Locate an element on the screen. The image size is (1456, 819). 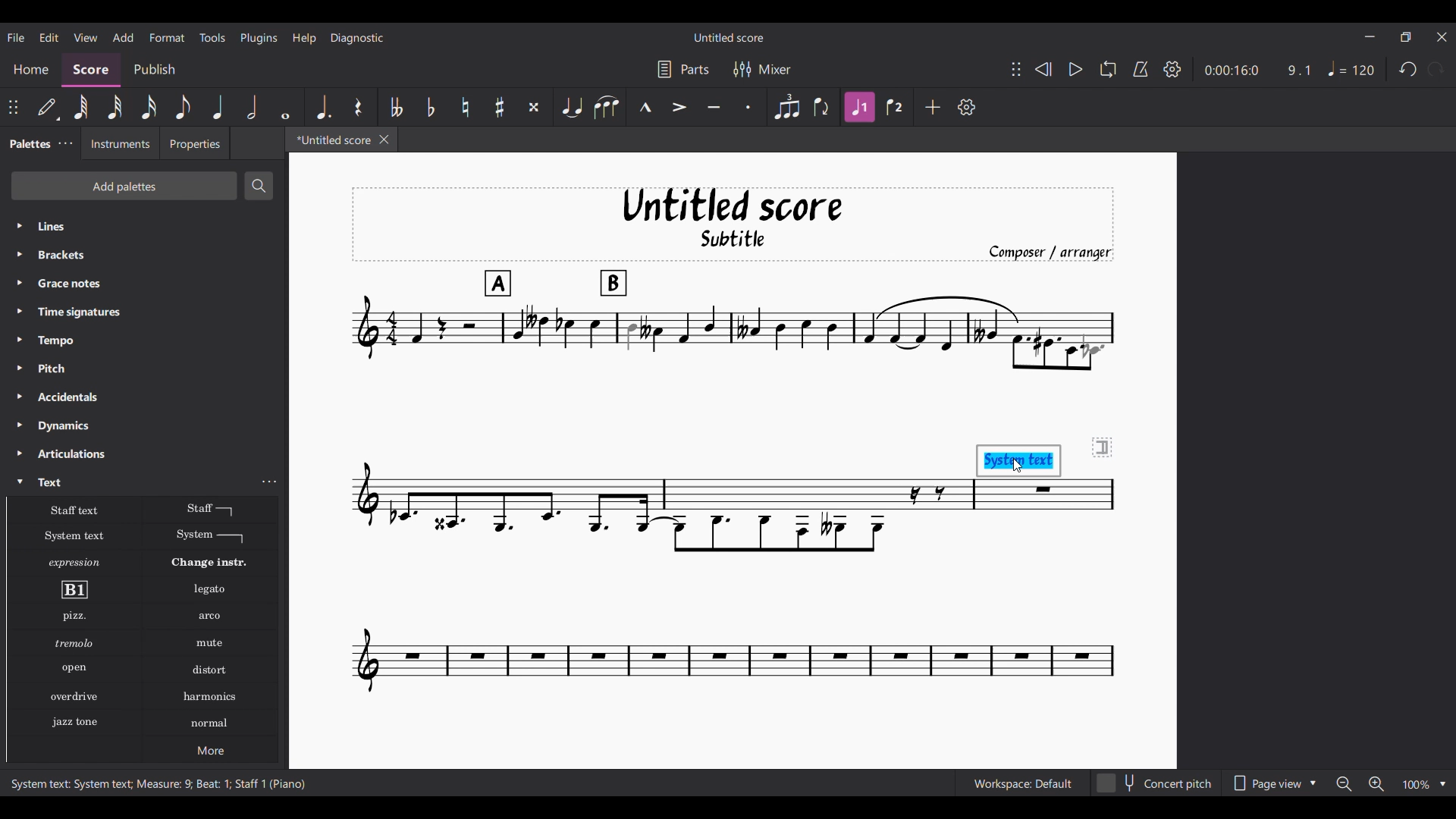
Search is located at coordinates (257, 186).